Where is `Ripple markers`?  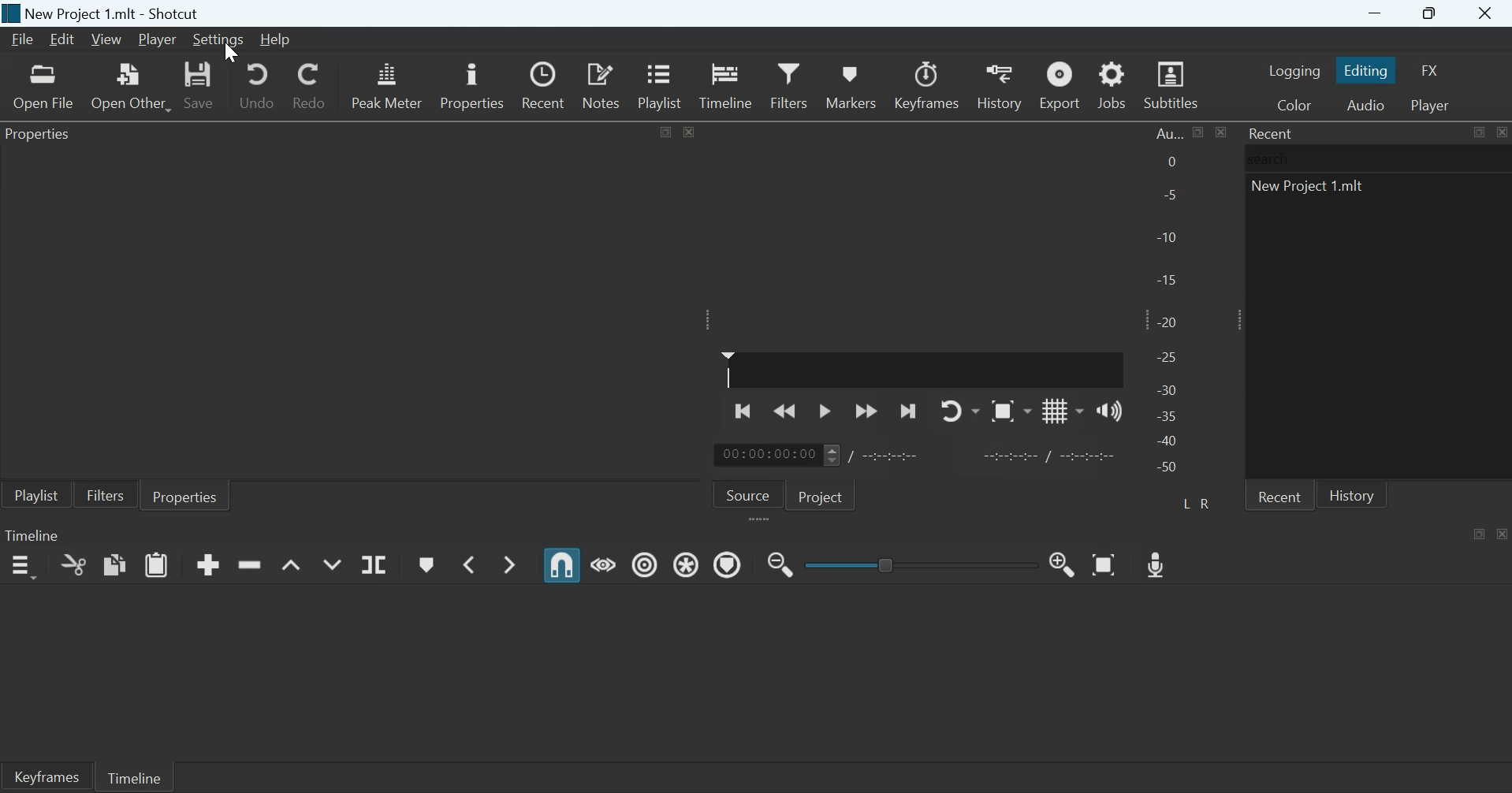 Ripple markers is located at coordinates (728, 564).